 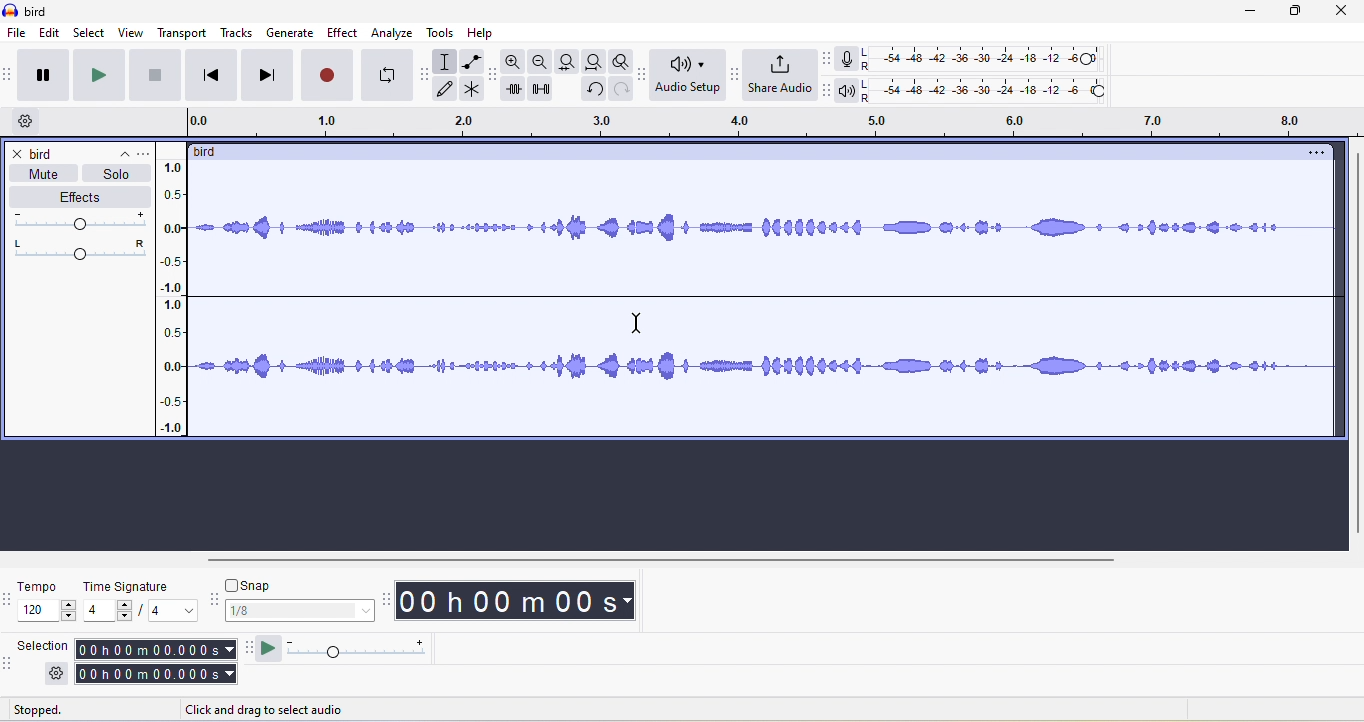 What do you see at coordinates (179, 300) in the screenshot?
I see `linear` at bounding box center [179, 300].